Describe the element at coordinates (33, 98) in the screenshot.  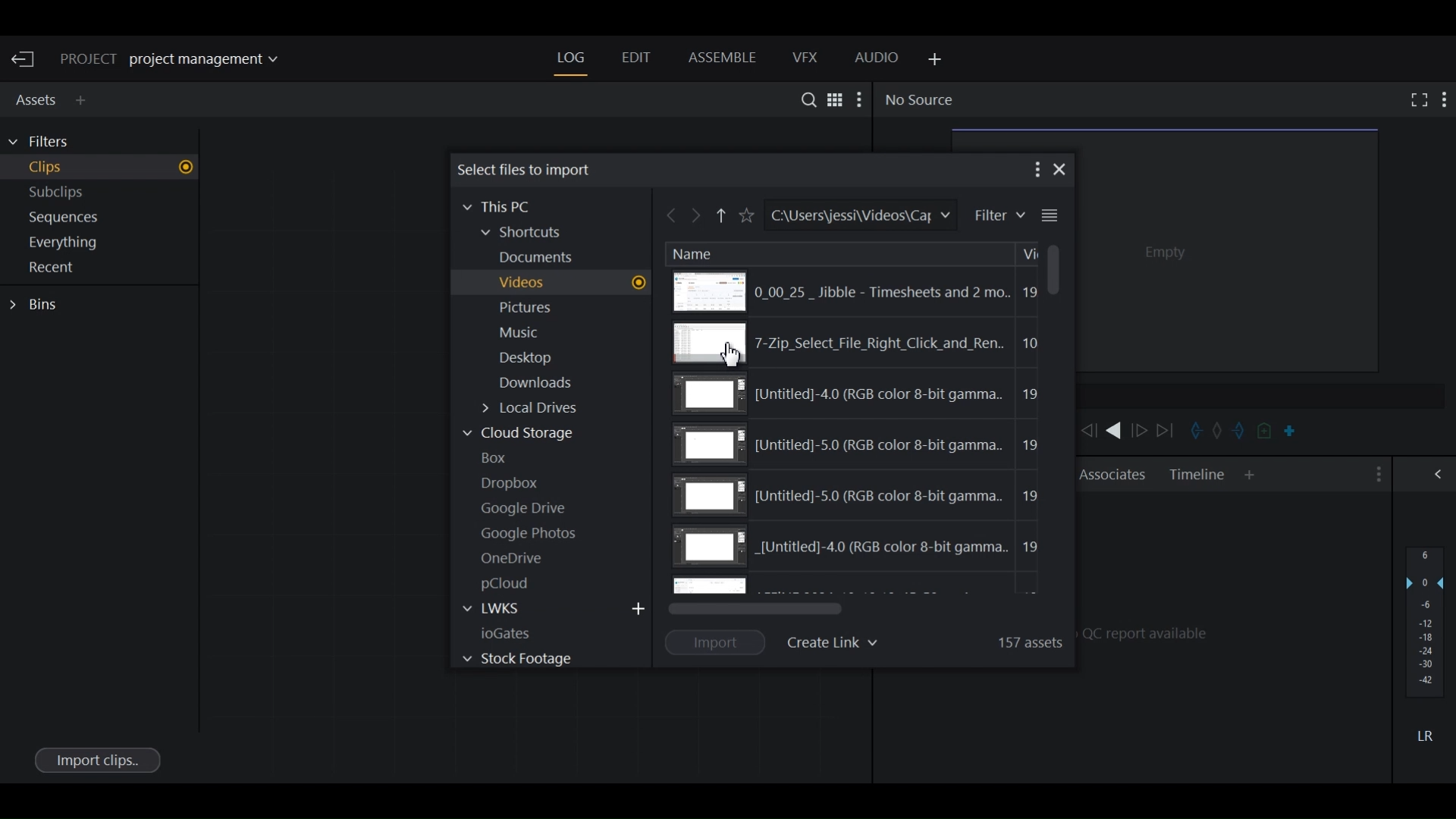
I see `Assets` at that location.